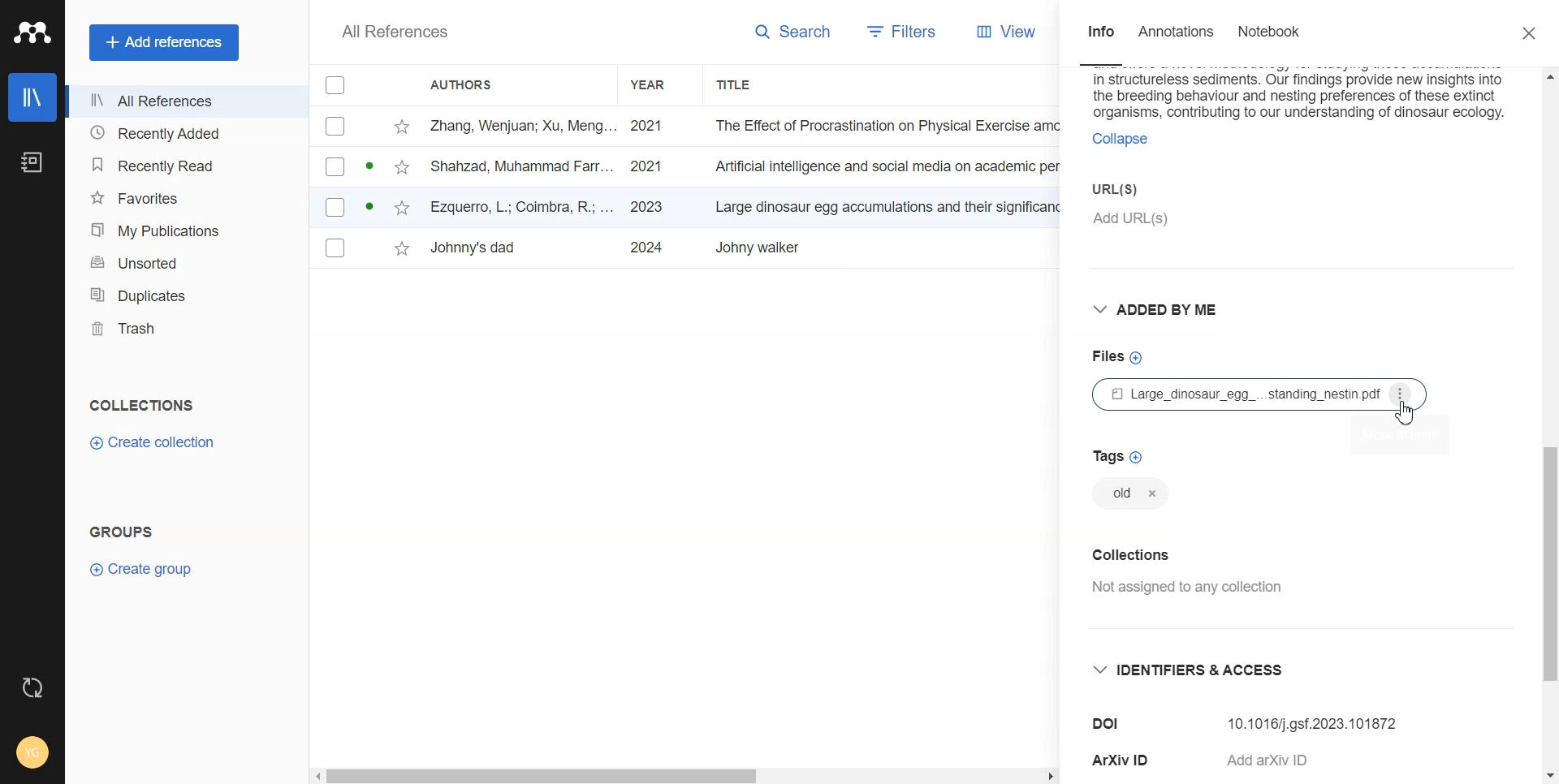 The height and width of the screenshot is (784, 1559). Describe the element at coordinates (179, 162) in the screenshot. I see `Recently Read` at that location.